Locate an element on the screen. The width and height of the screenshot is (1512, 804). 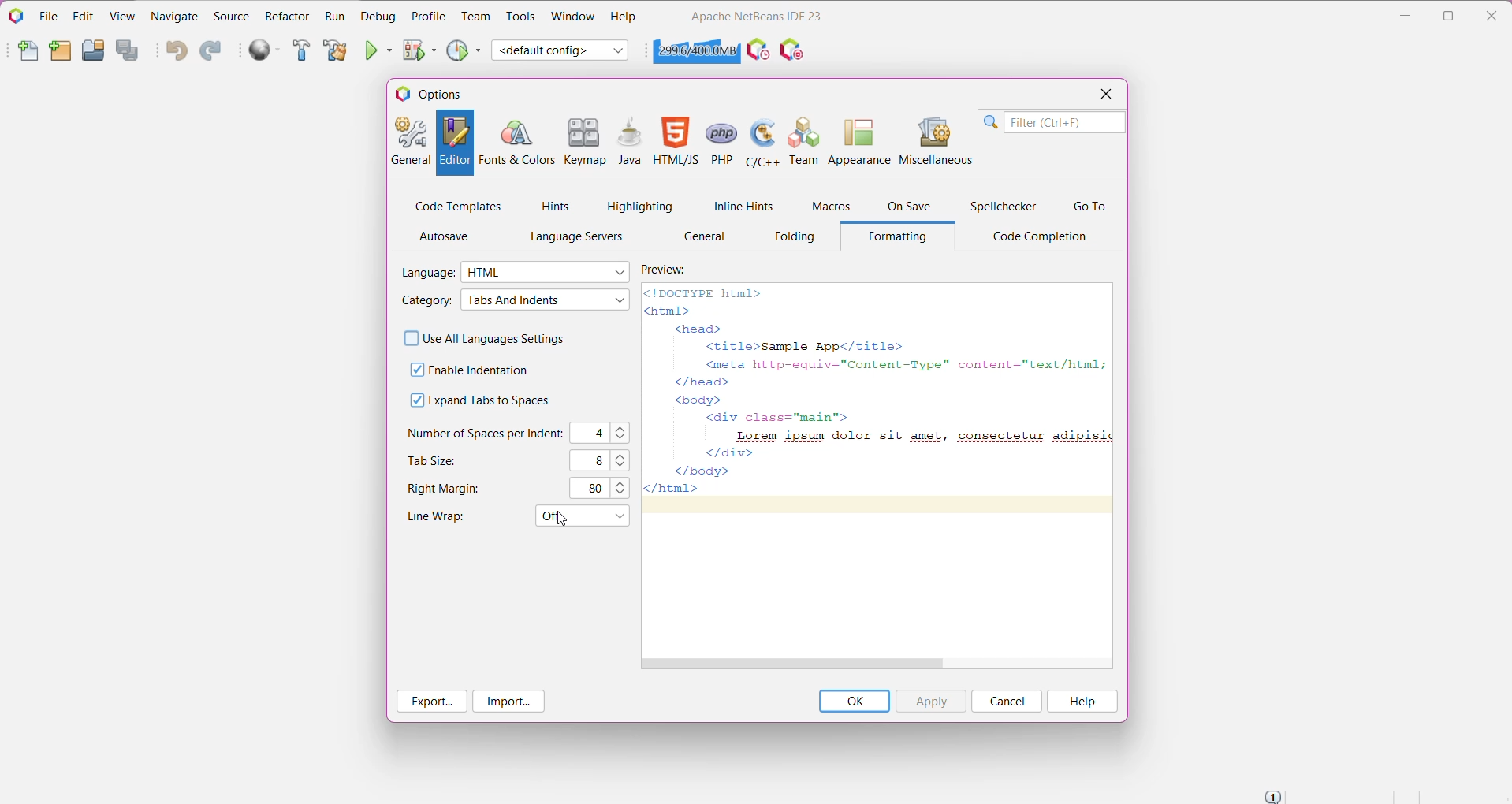
Code Templates is located at coordinates (458, 205).